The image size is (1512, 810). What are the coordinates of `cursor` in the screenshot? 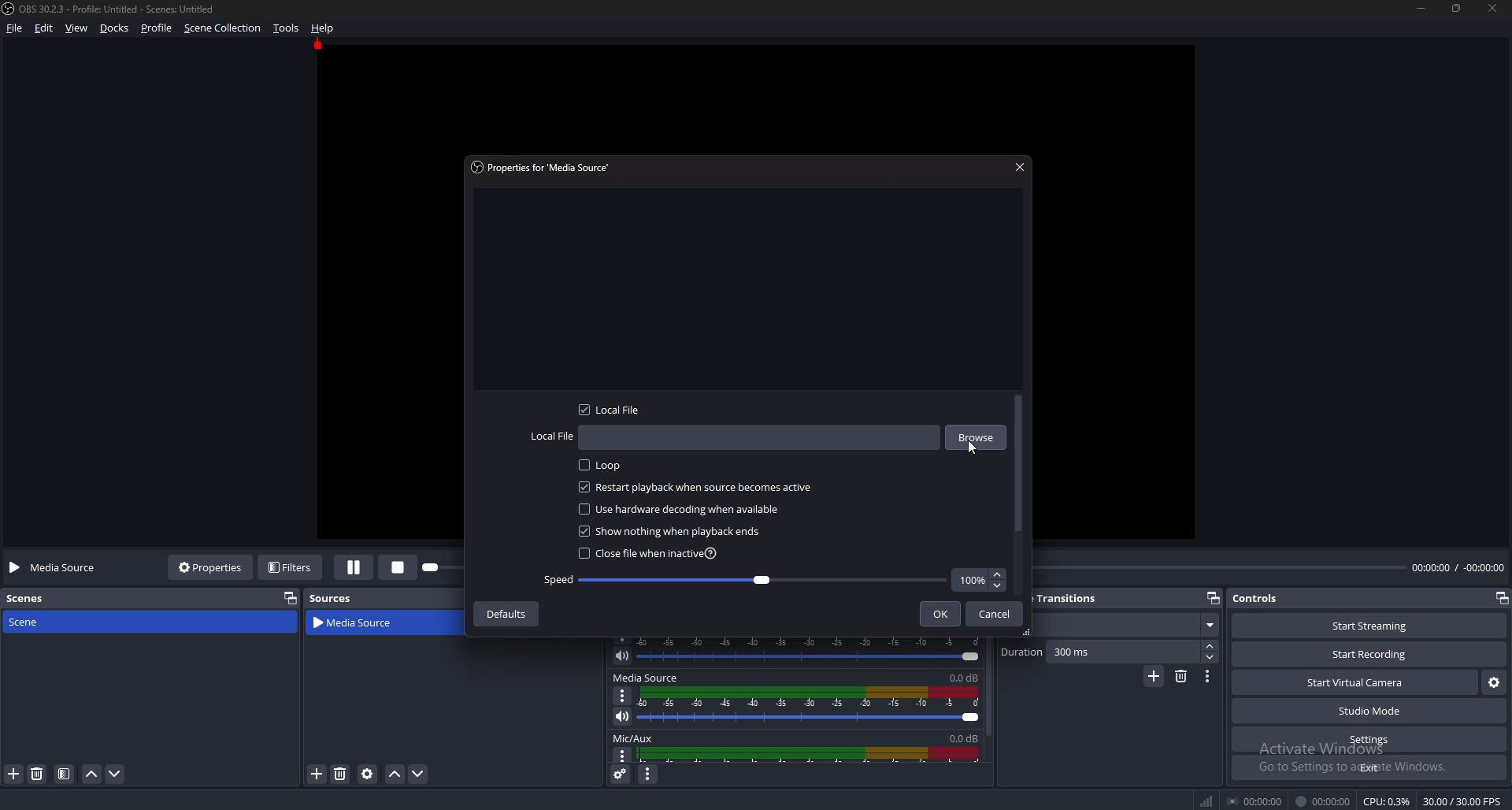 It's located at (969, 450).